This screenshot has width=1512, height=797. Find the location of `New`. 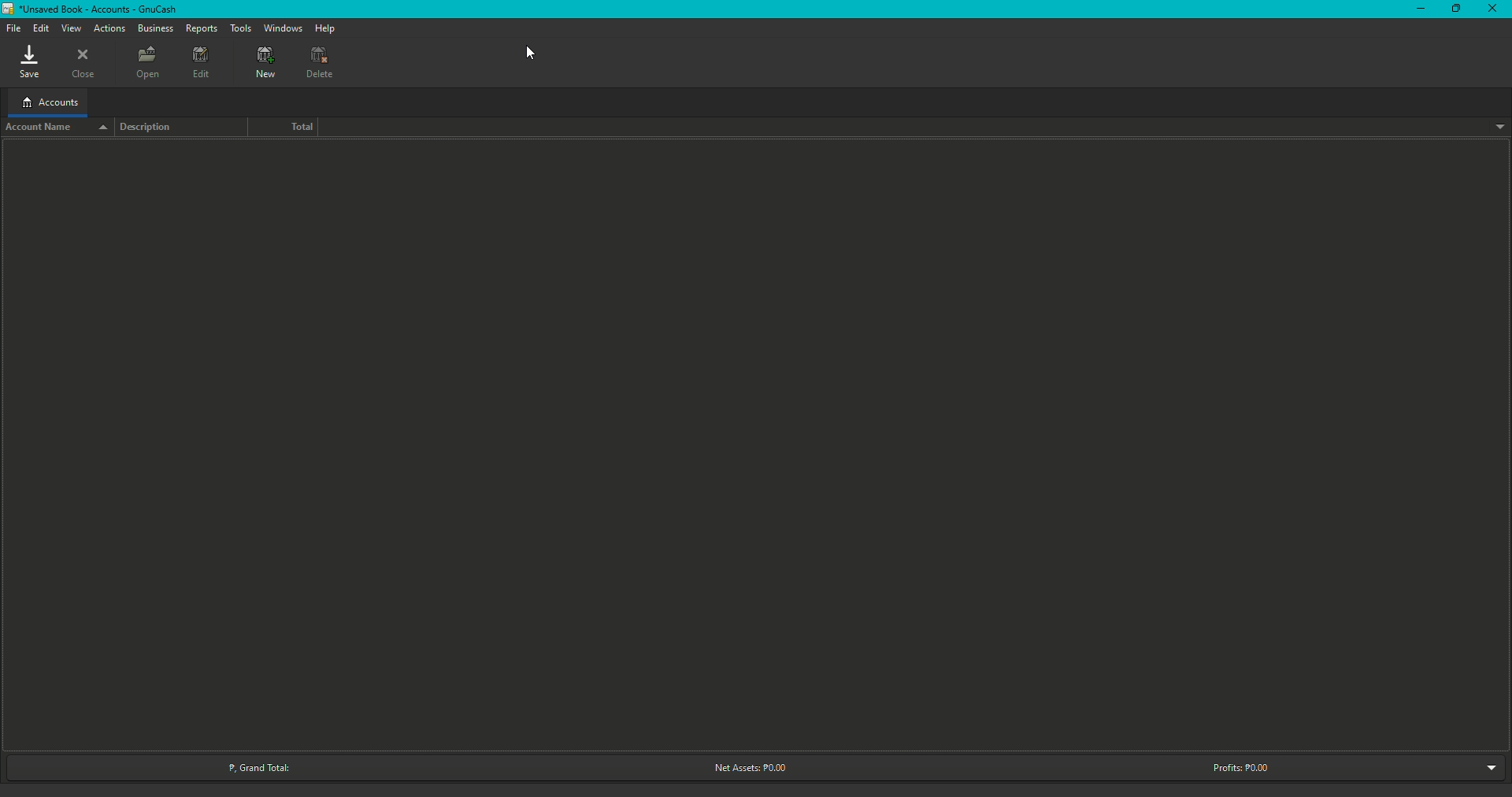

New is located at coordinates (264, 61).